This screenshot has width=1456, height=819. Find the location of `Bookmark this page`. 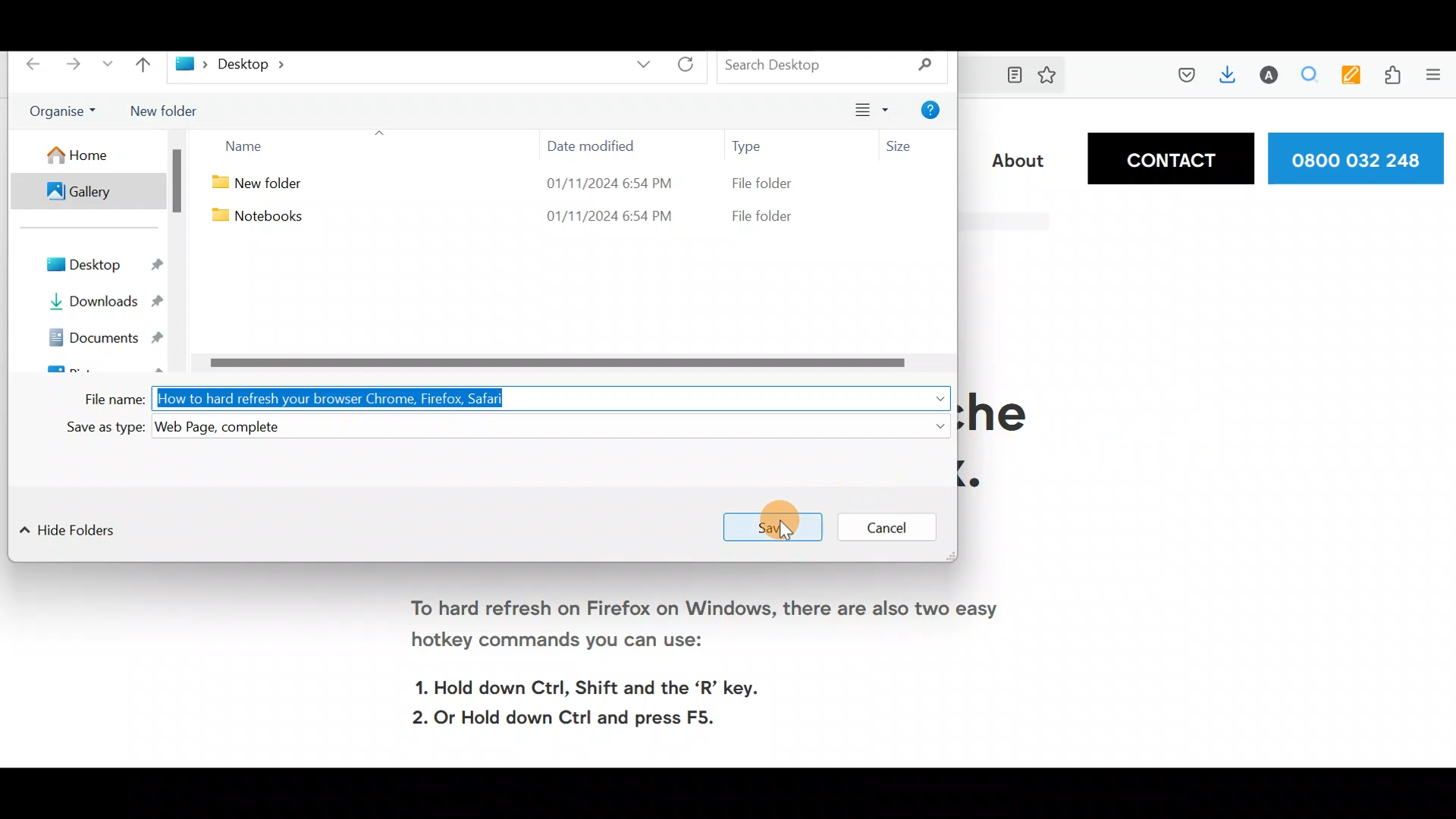

Bookmark this page is located at coordinates (1053, 77).